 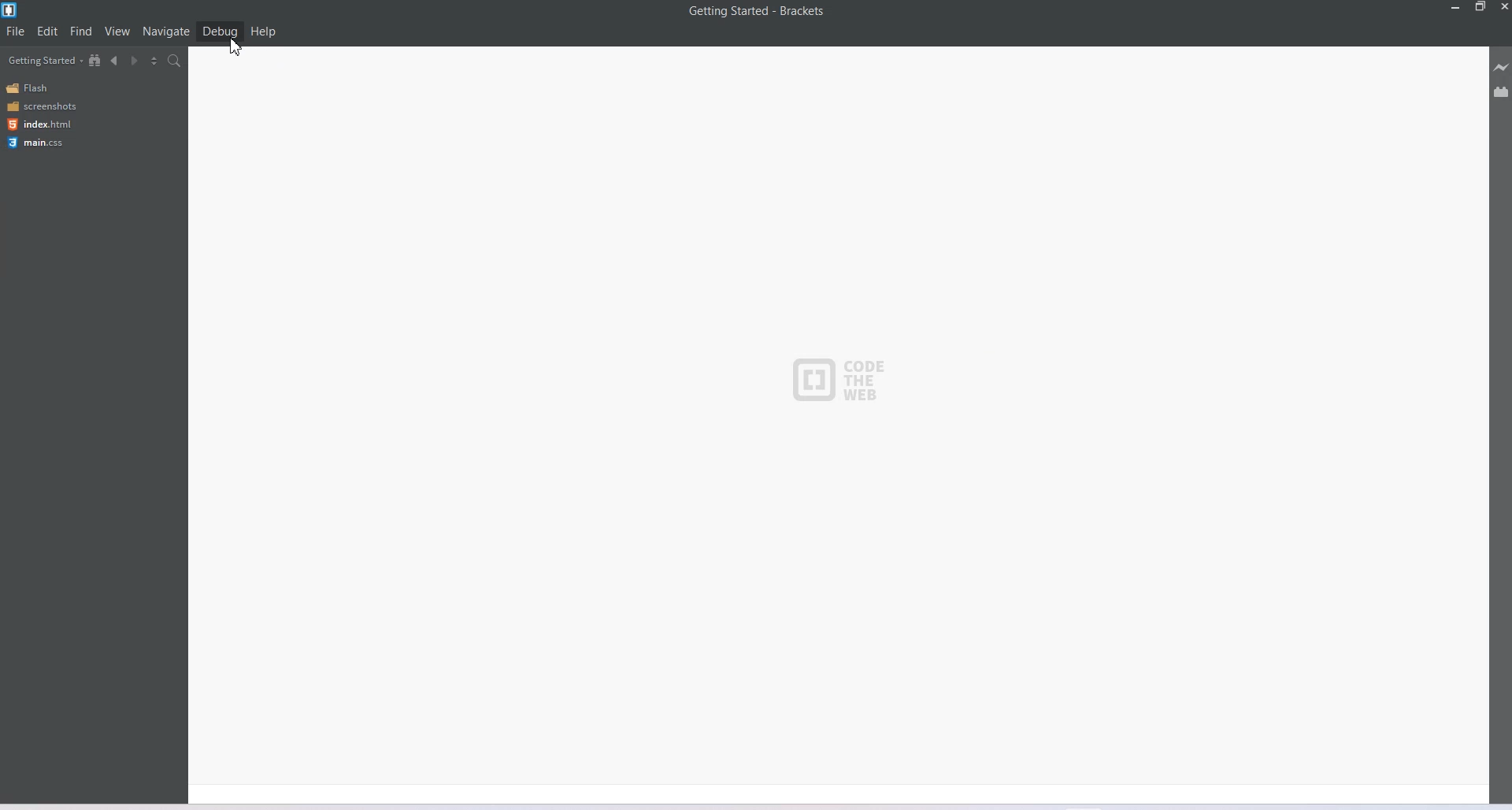 What do you see at coordinates (47, 32) in the screenshot?
I see `Edit` at bounding box center [47, 32].